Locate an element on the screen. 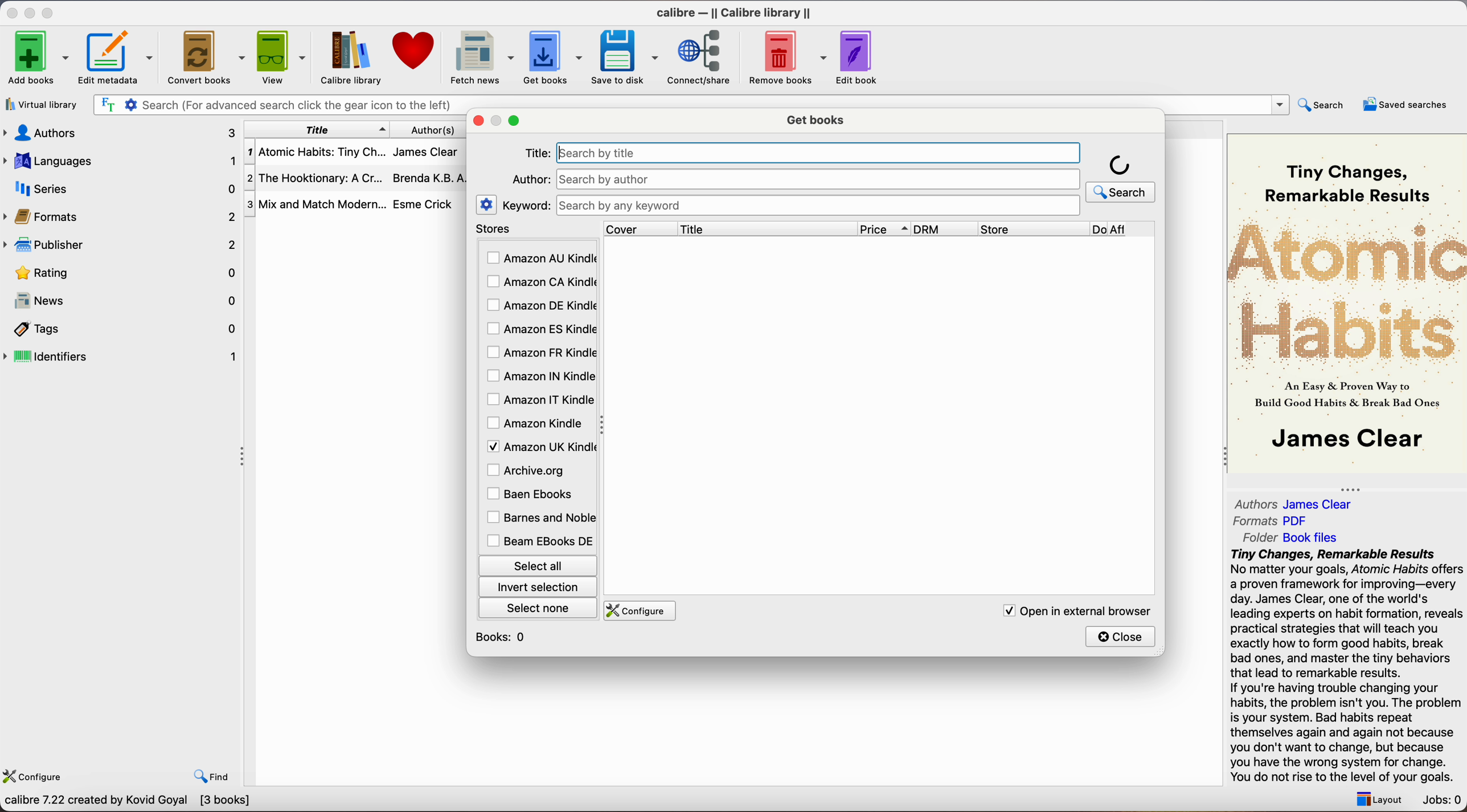 This screenshot has height=812, width=1467. formats is located at coordinates (121, 216).